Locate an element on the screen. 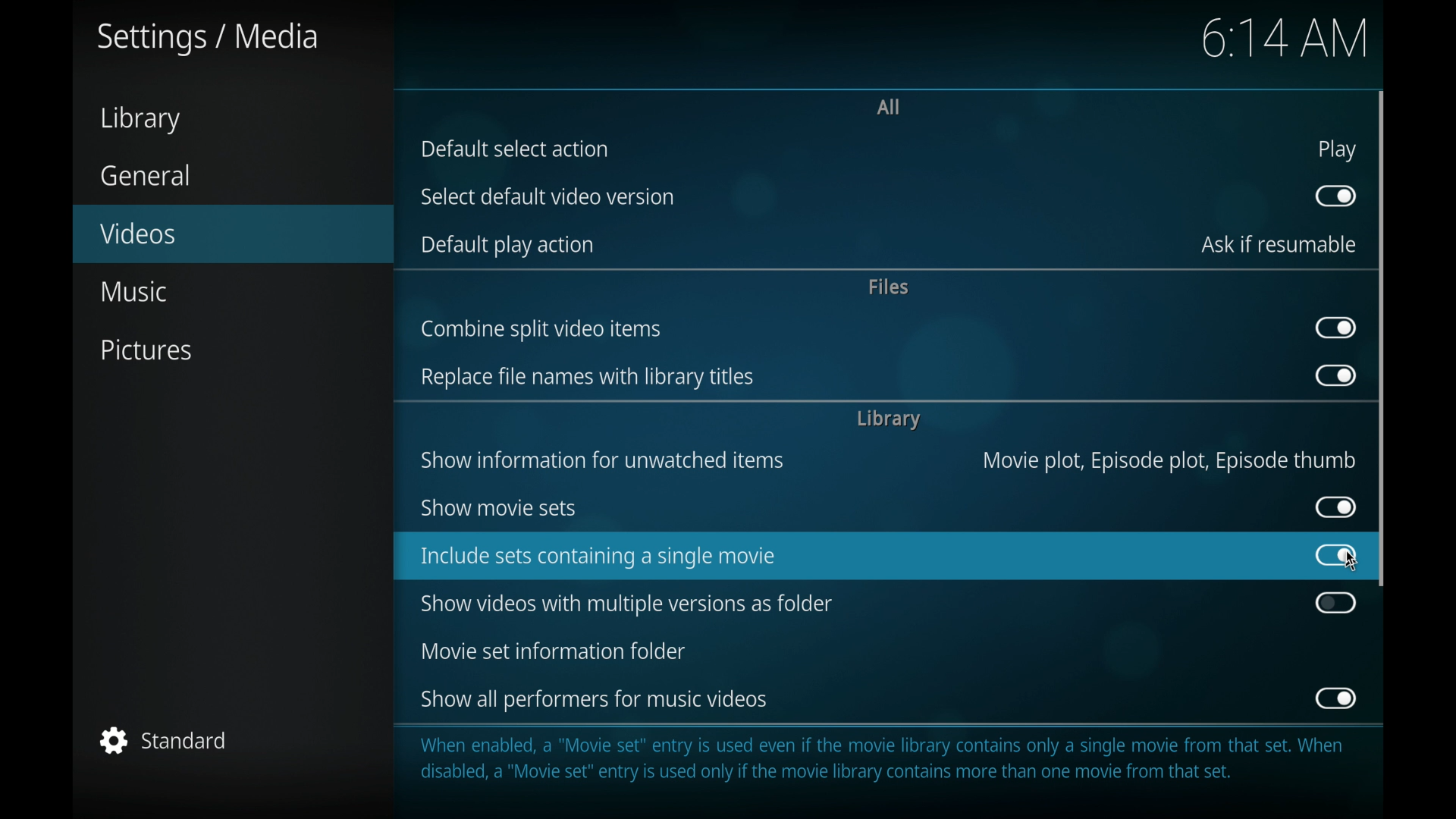 This screenshot has width=1456, height=819. scroll box is located at coordinates (1382, 338).